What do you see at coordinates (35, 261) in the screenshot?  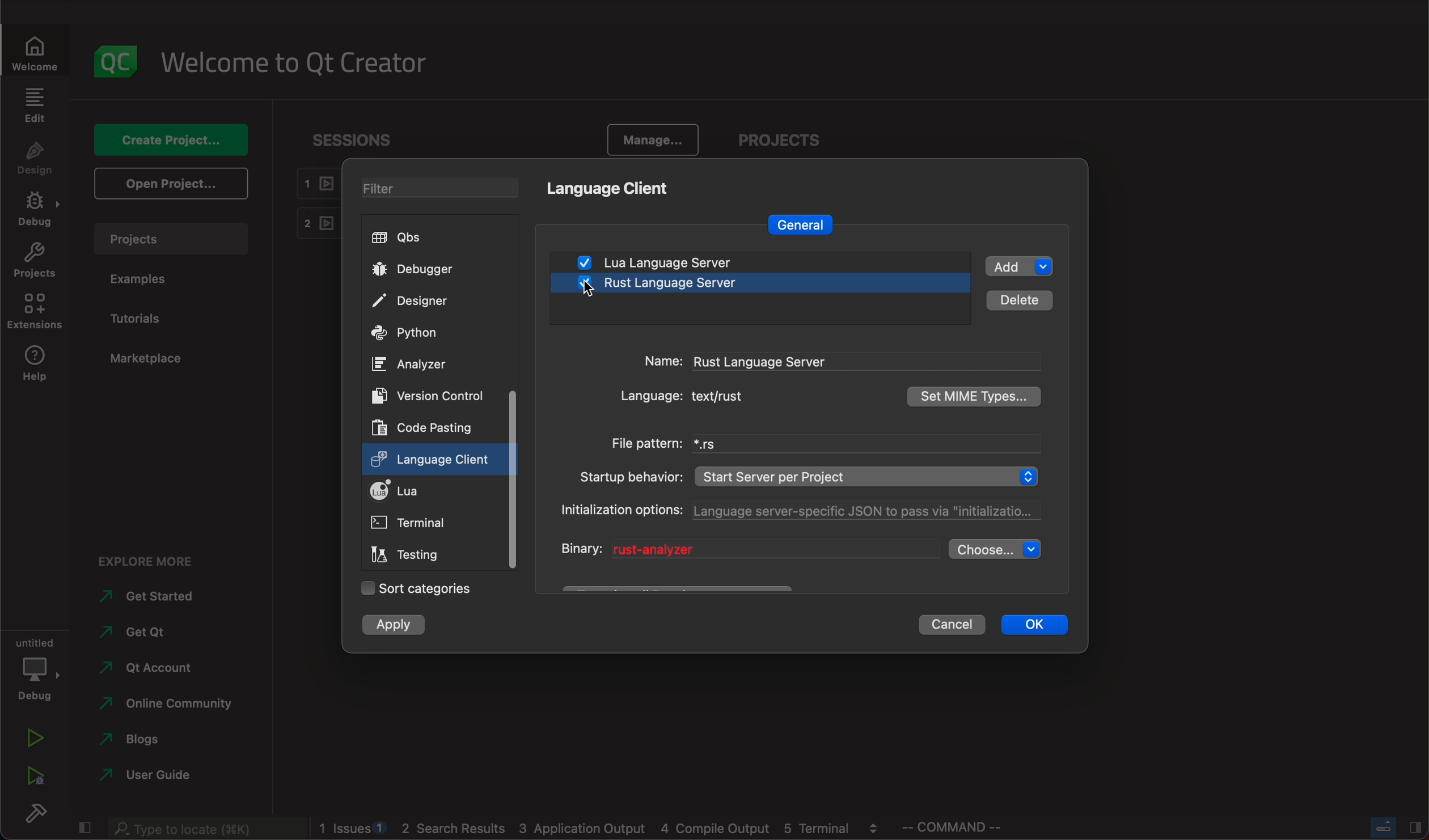 I see `projects` at bounding box center [35, 261].